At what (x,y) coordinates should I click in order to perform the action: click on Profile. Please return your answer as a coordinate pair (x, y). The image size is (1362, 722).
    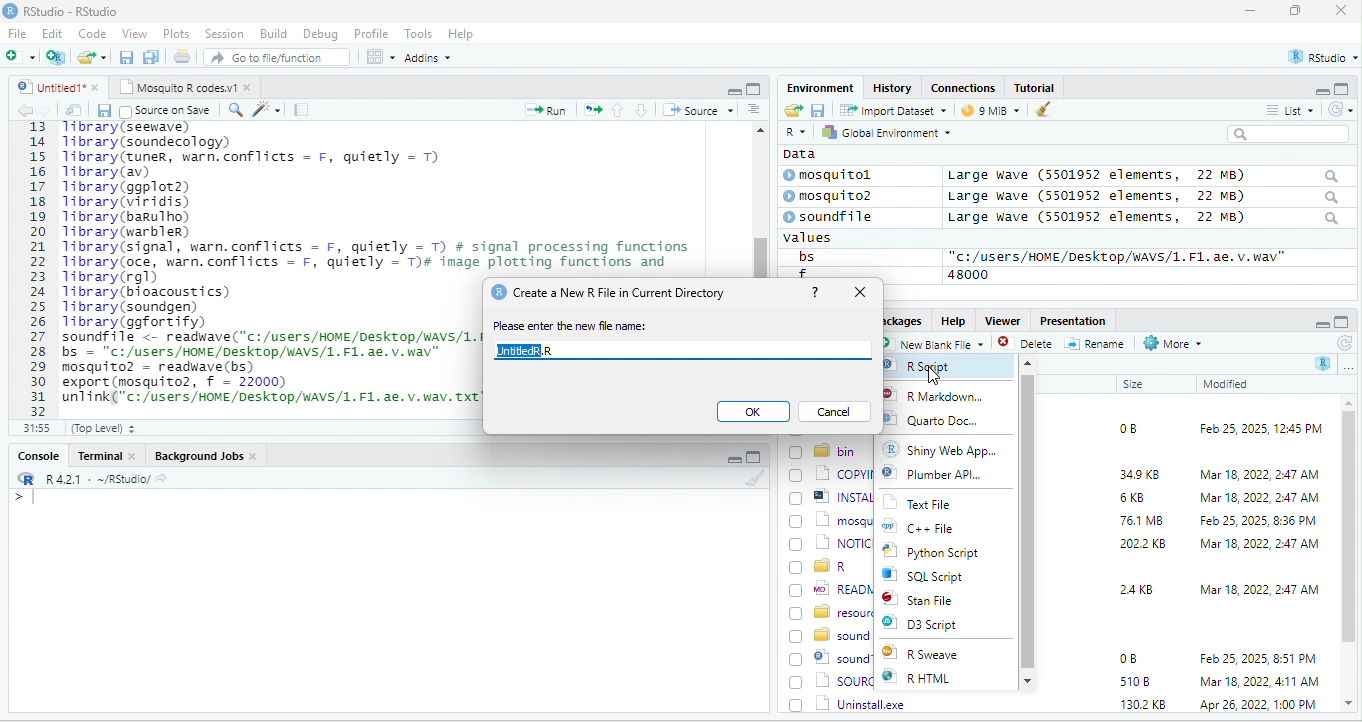
    Looking at the image, I should click on (371, 34).